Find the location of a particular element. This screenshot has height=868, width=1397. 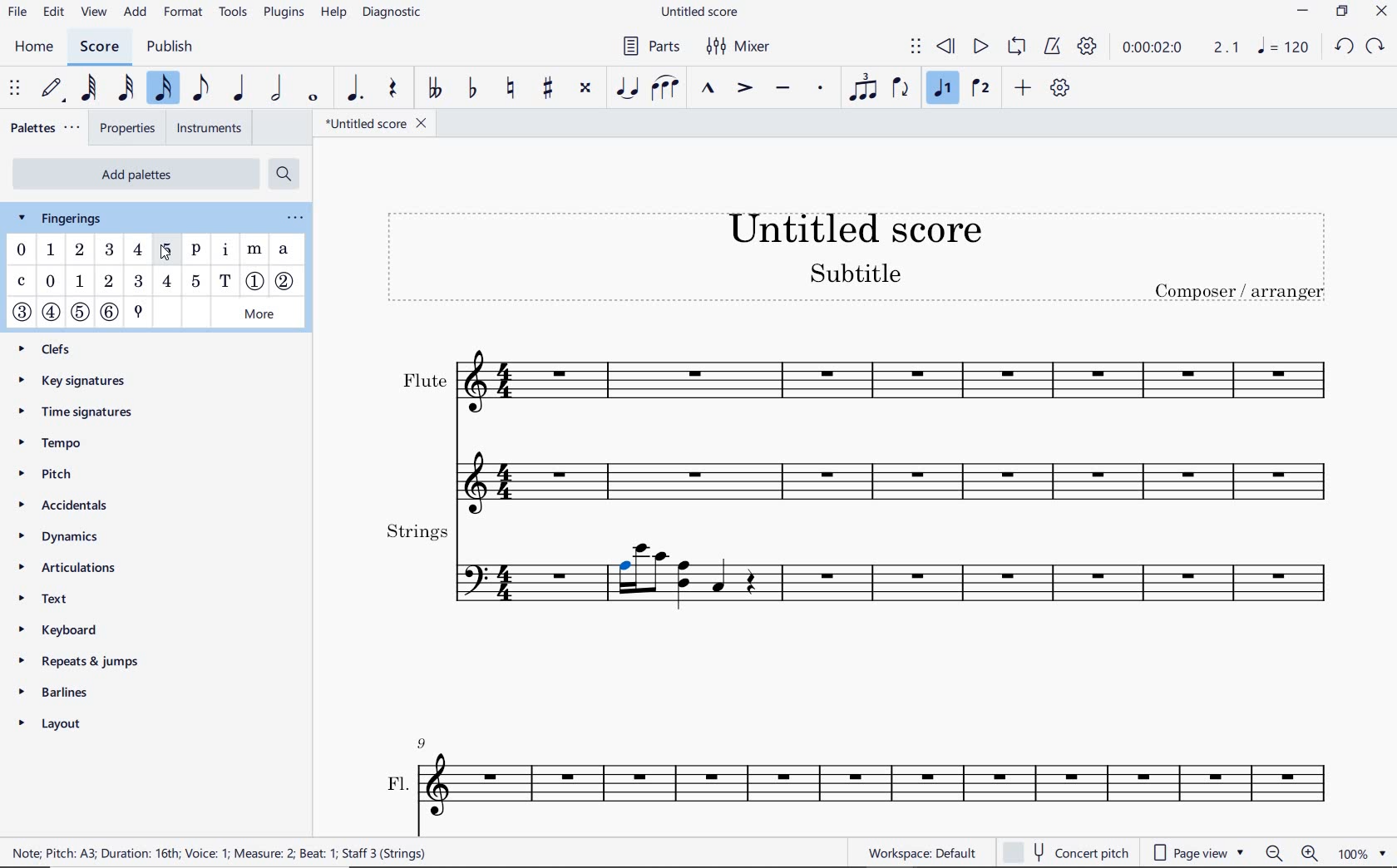

toggle natural is located at coordinates (513, 86).